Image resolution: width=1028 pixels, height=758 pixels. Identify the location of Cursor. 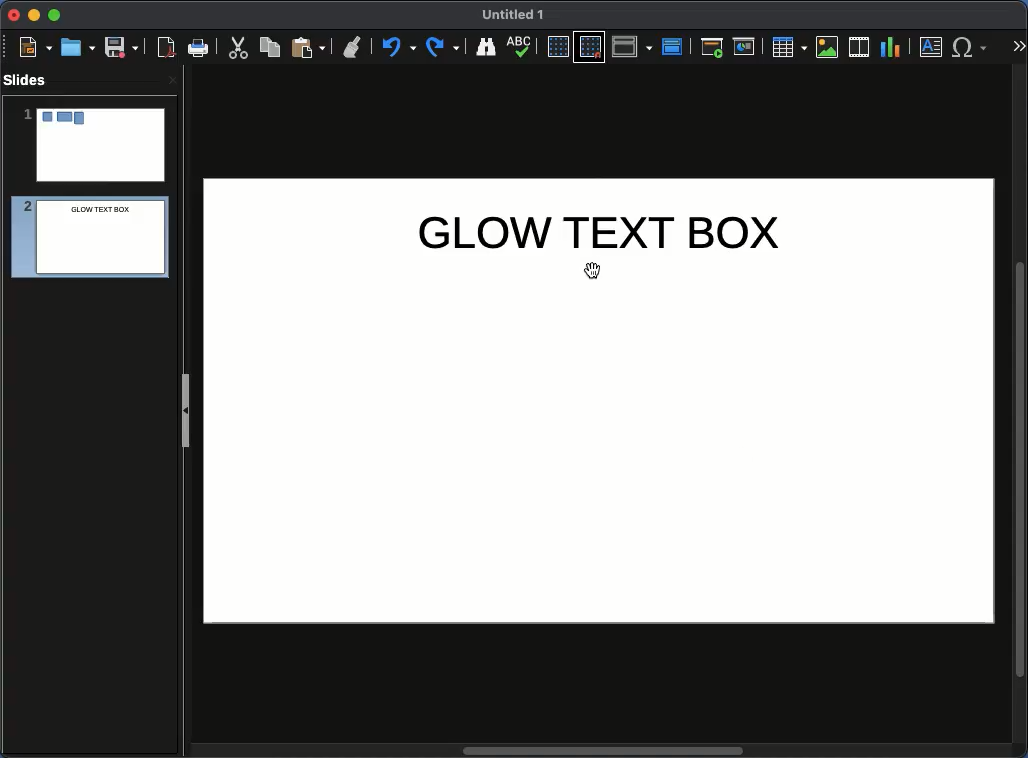
(597, 272).